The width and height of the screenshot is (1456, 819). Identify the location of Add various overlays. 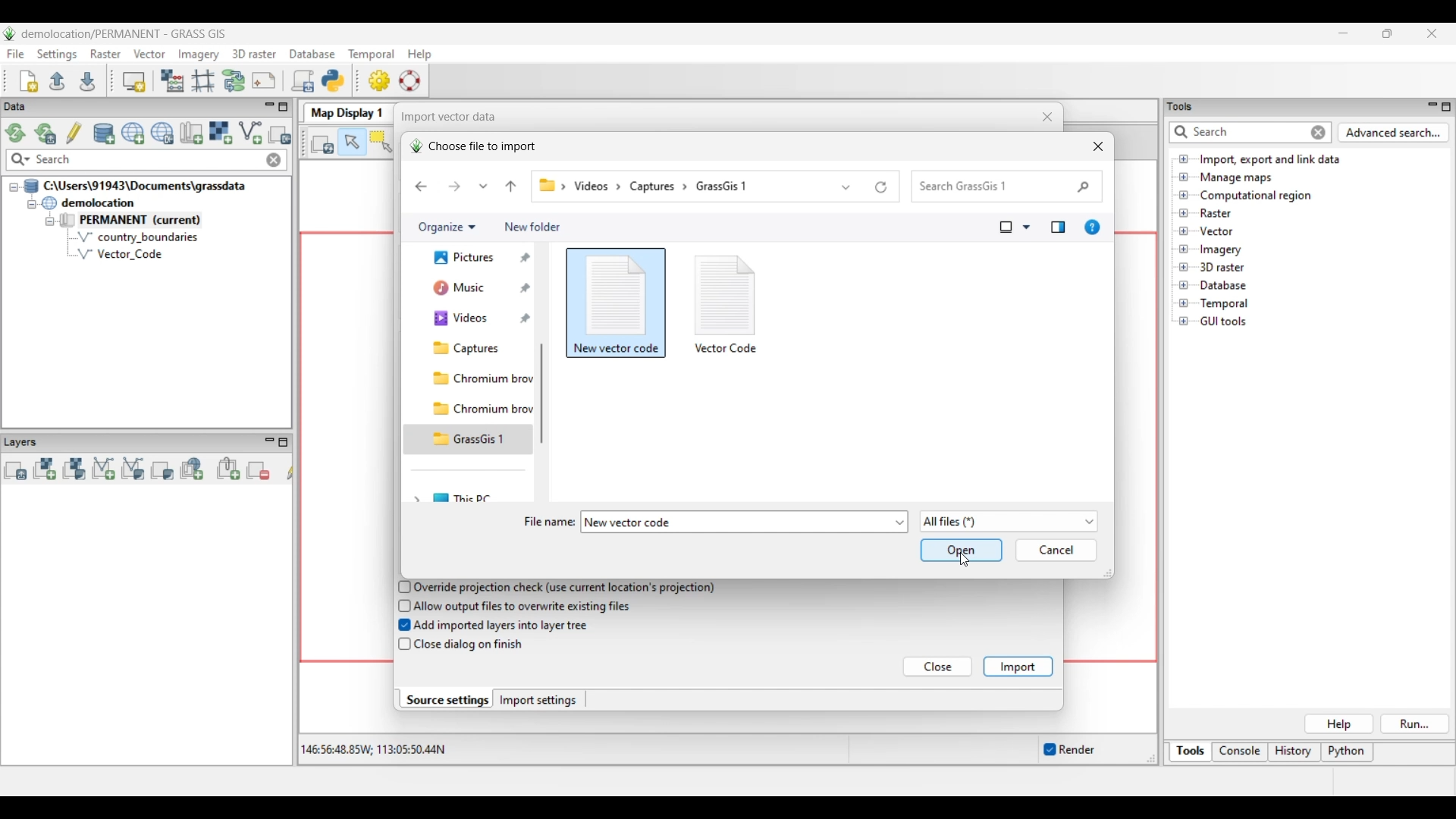
(162, 470).